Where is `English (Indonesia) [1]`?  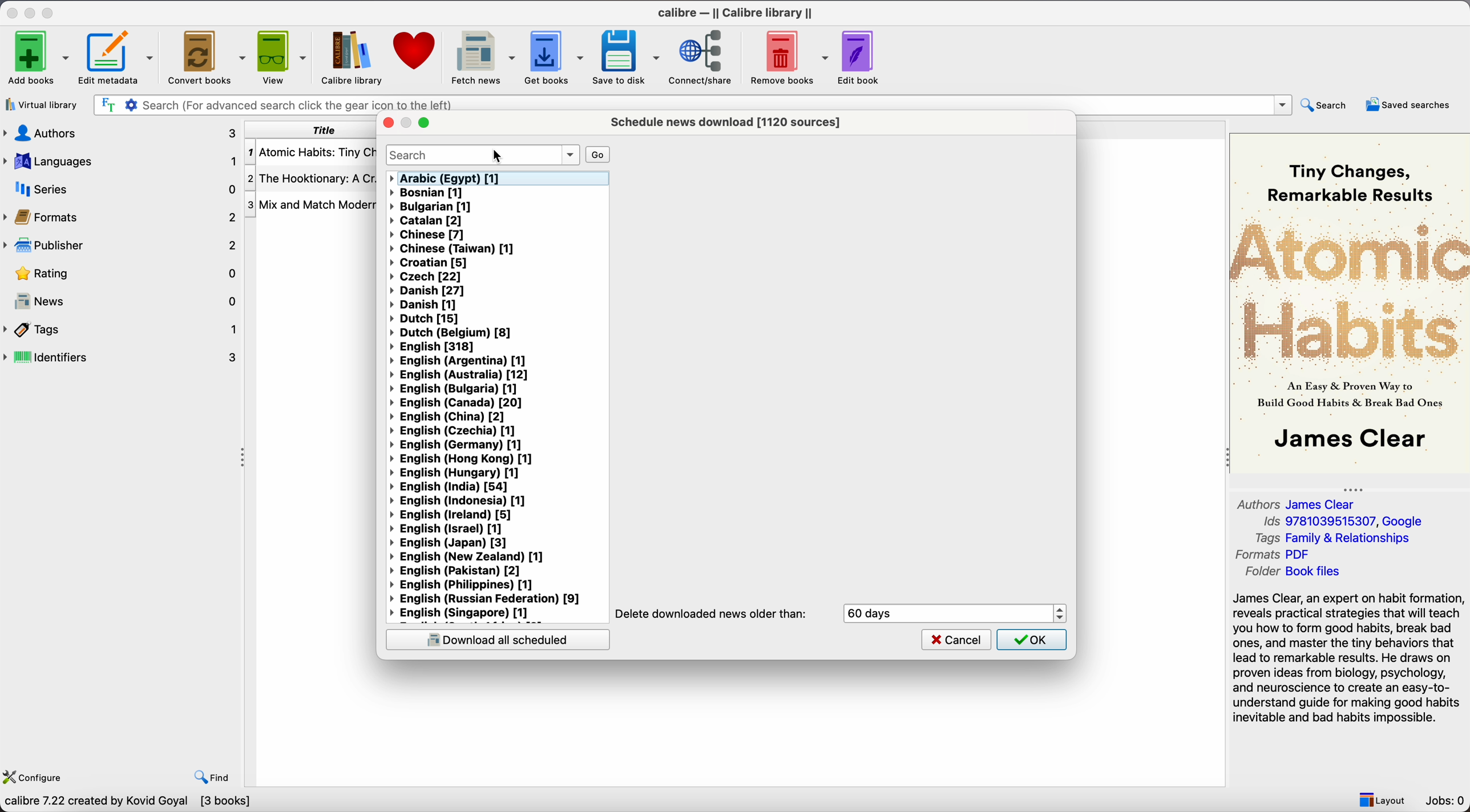 English (Indonesia) [1] is located at coordinates (460, 502).